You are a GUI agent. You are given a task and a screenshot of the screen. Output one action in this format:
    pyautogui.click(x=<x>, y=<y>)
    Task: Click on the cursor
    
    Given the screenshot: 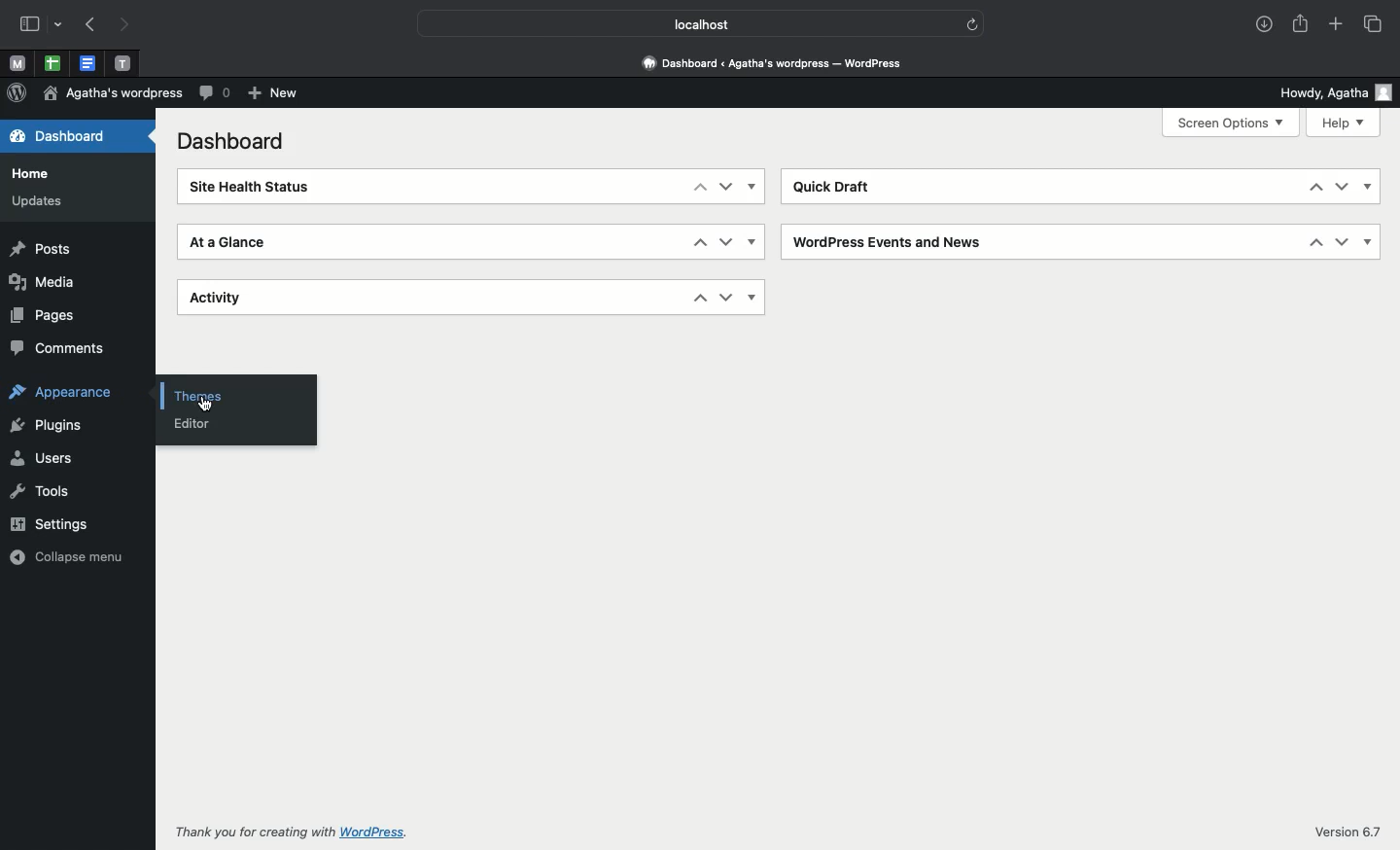 What is the action you would take?
    pyautogui.click(x=205, y=405)
    